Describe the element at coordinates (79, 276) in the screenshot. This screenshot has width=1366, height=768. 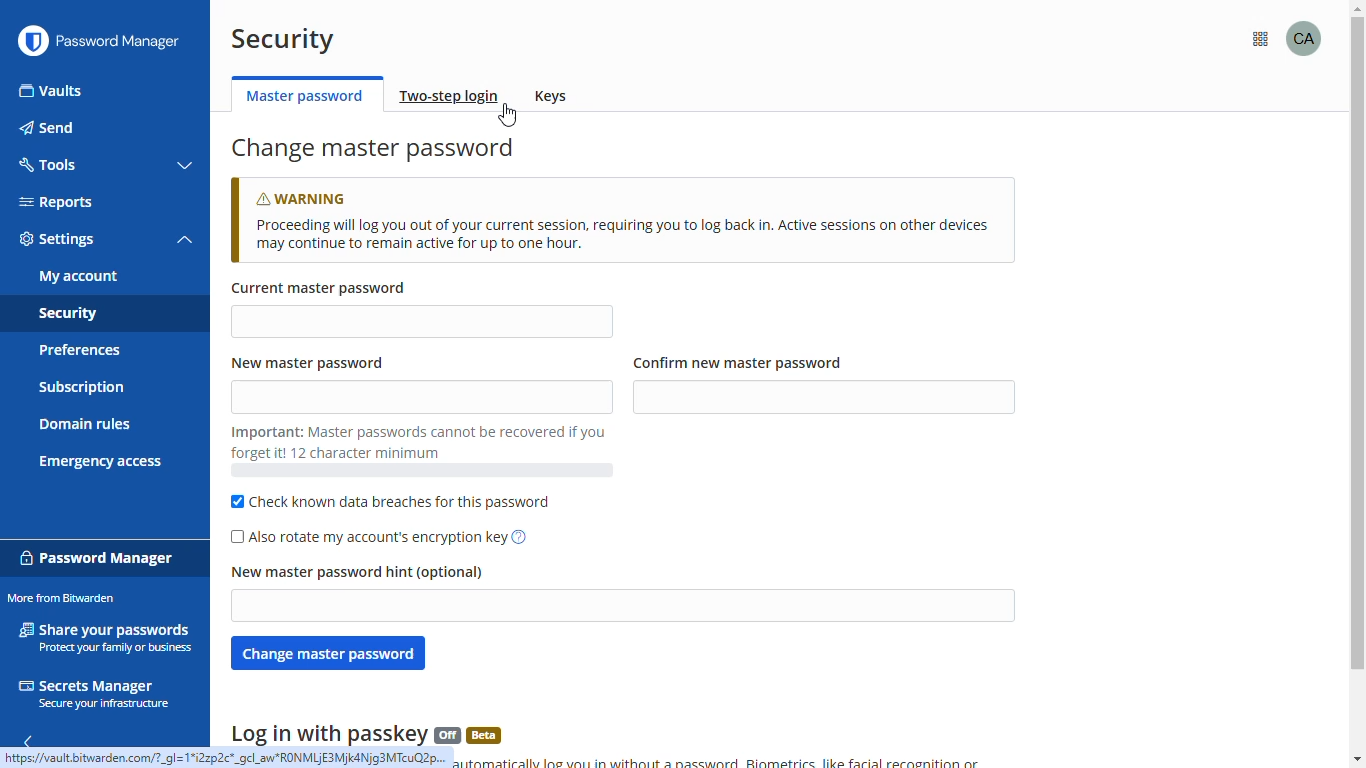
I see `my account` at that location.